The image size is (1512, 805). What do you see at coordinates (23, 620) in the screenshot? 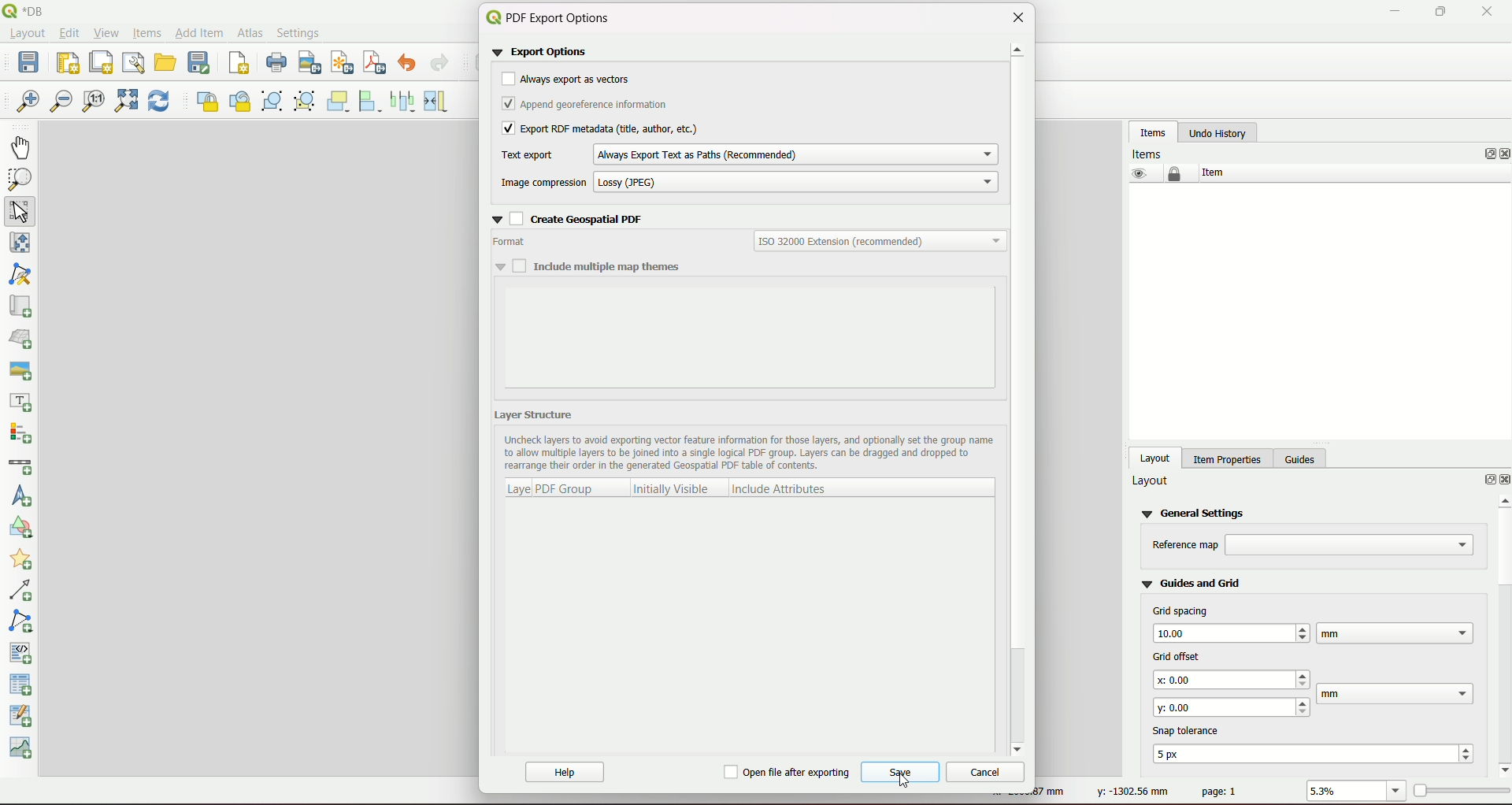
I see `add note item` at bounding box center [23, 620].